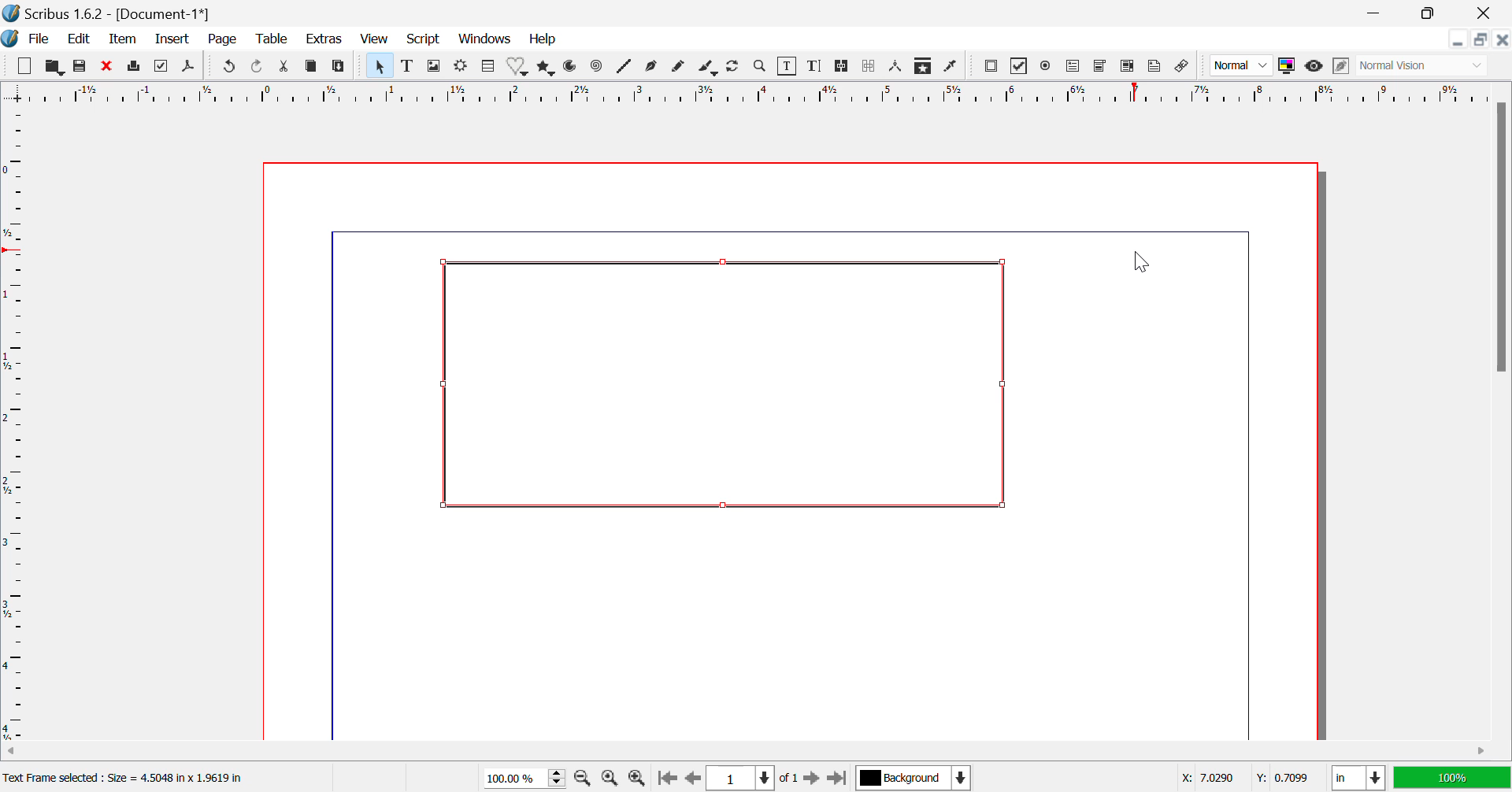 The image size is (1512, 792). Describe the element at coordinates (130, 778) in the screenshot. I see `Text Frame selected : Size = 4.5048 in x 1.9619 in` at that location.